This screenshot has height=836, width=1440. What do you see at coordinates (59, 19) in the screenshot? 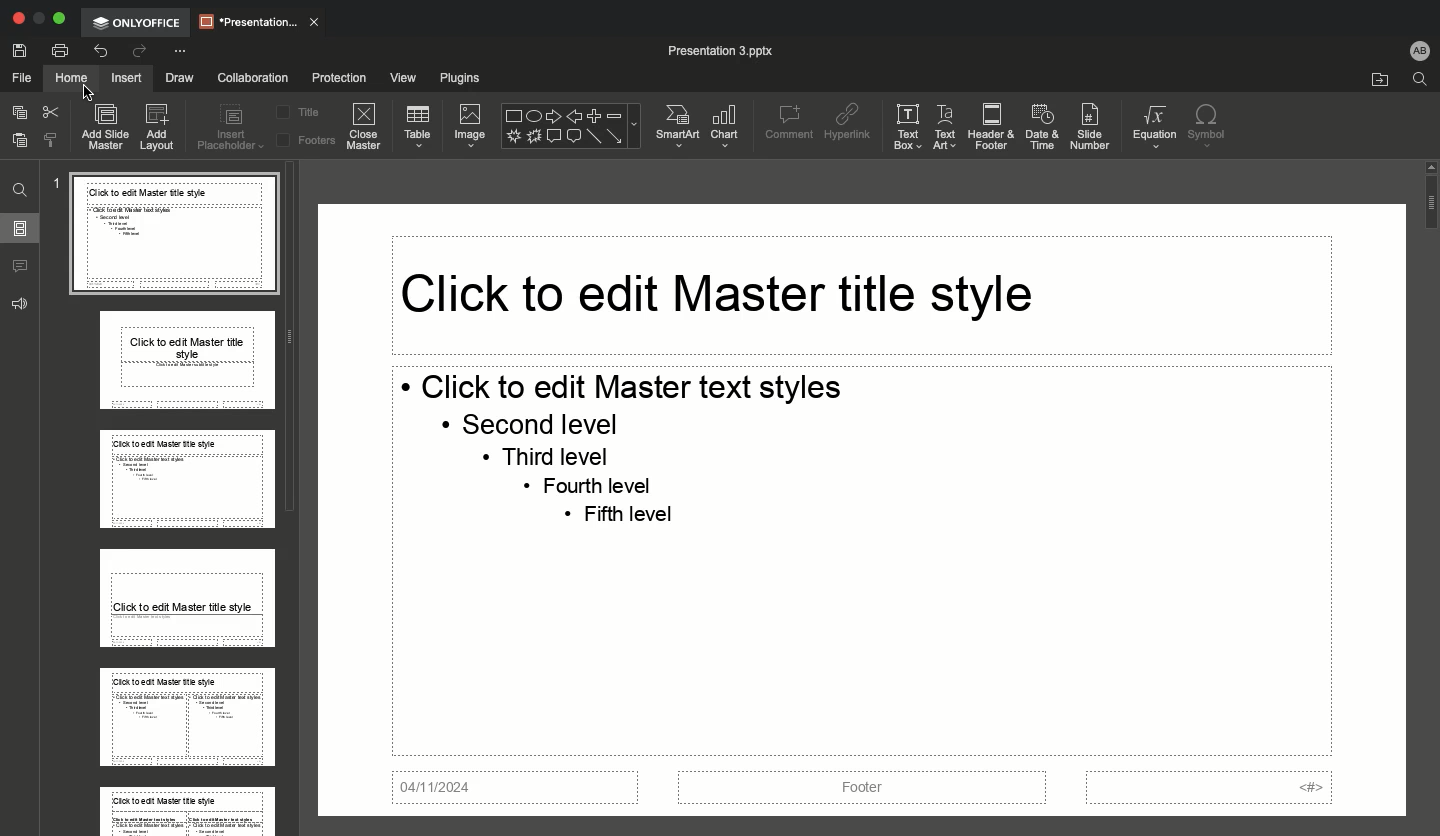
I see `Expand` at bounding box center [59, 19].